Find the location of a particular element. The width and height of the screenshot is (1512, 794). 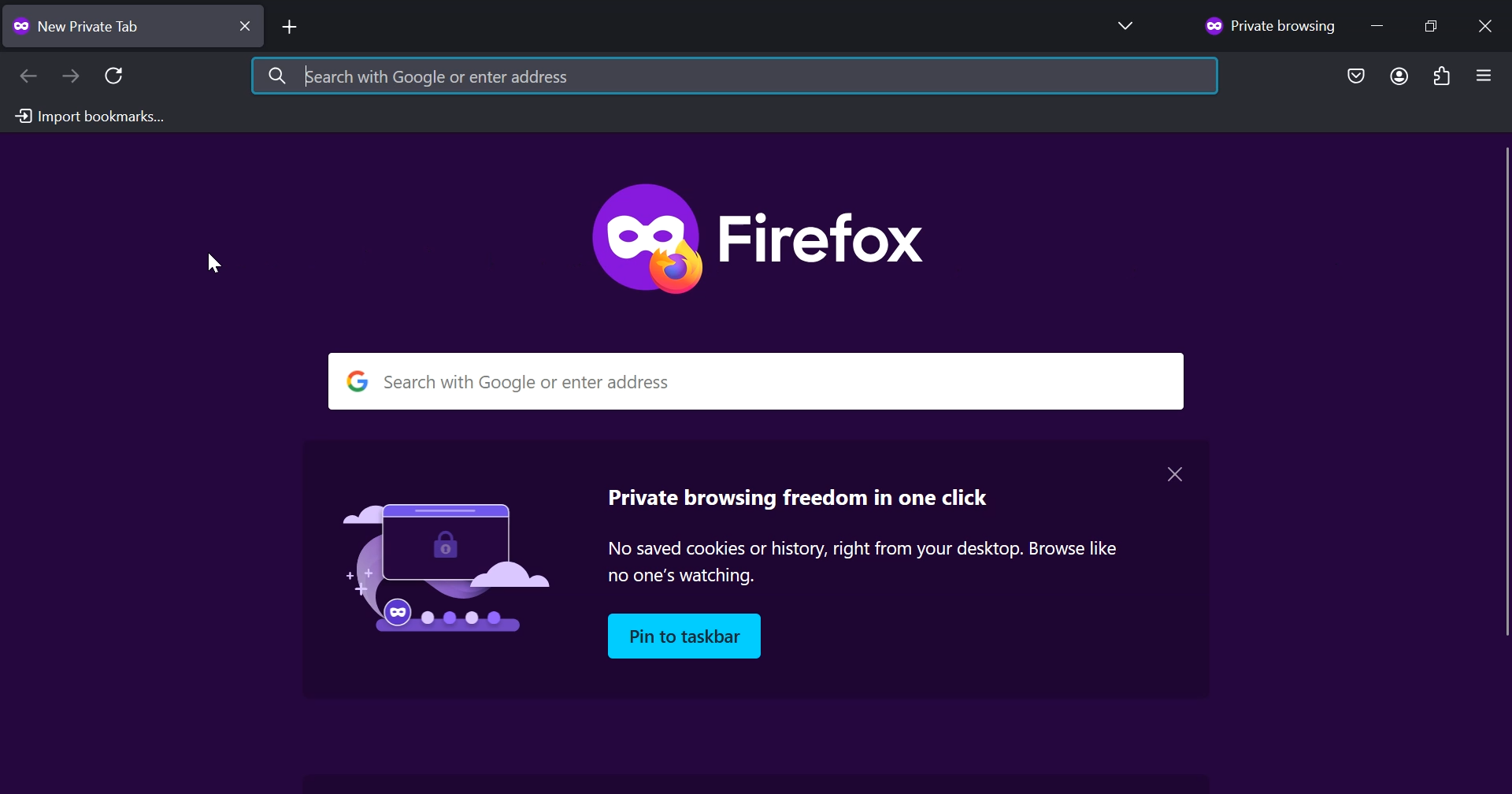

search with google or enter address is located at coordinates (755, 381).